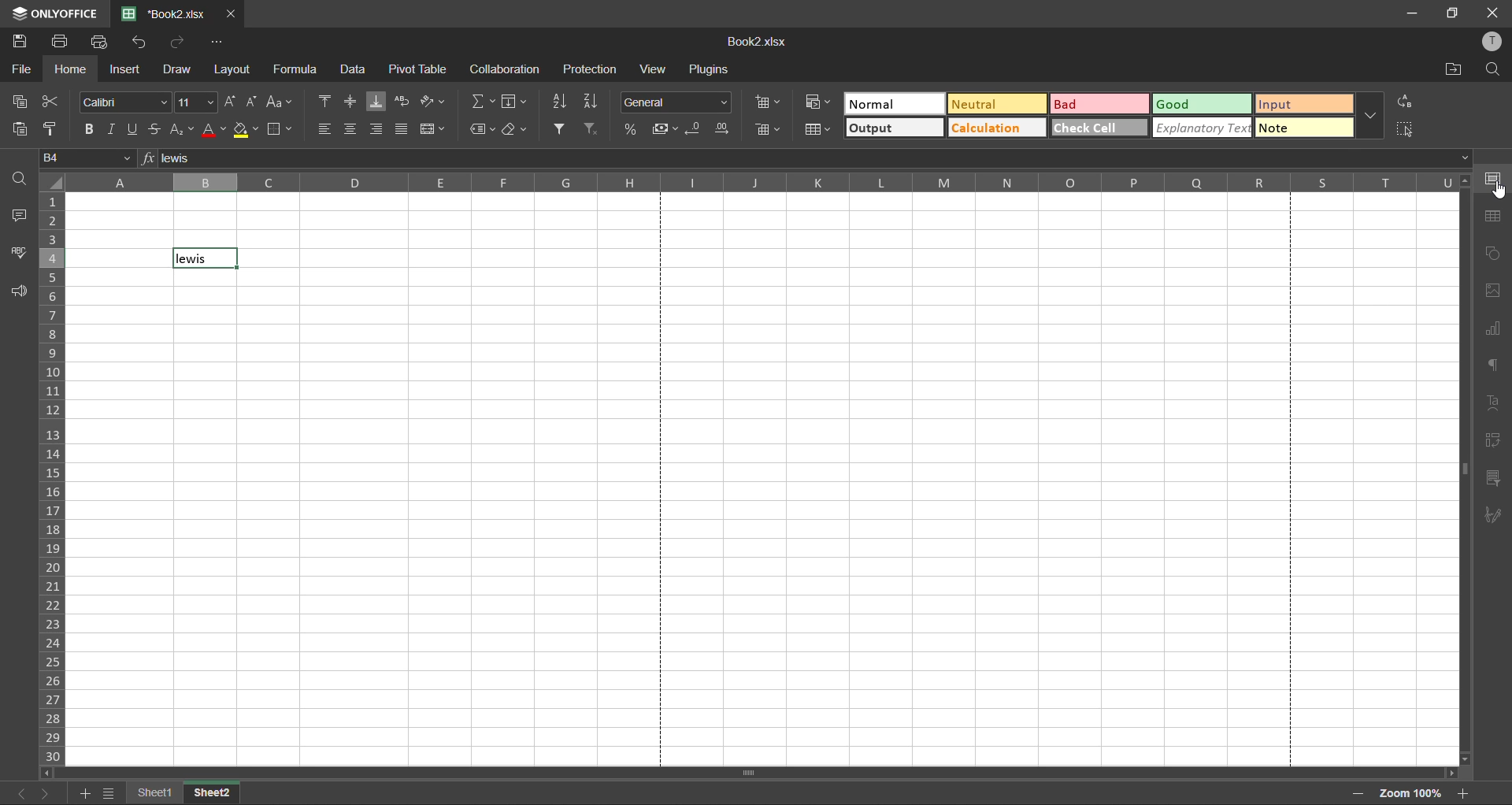 This screenshot has width=1512, height=805. What do you see at coordinates (87, 159) in the screenshot?
I see `cell address` at bounding box center [87, 159].